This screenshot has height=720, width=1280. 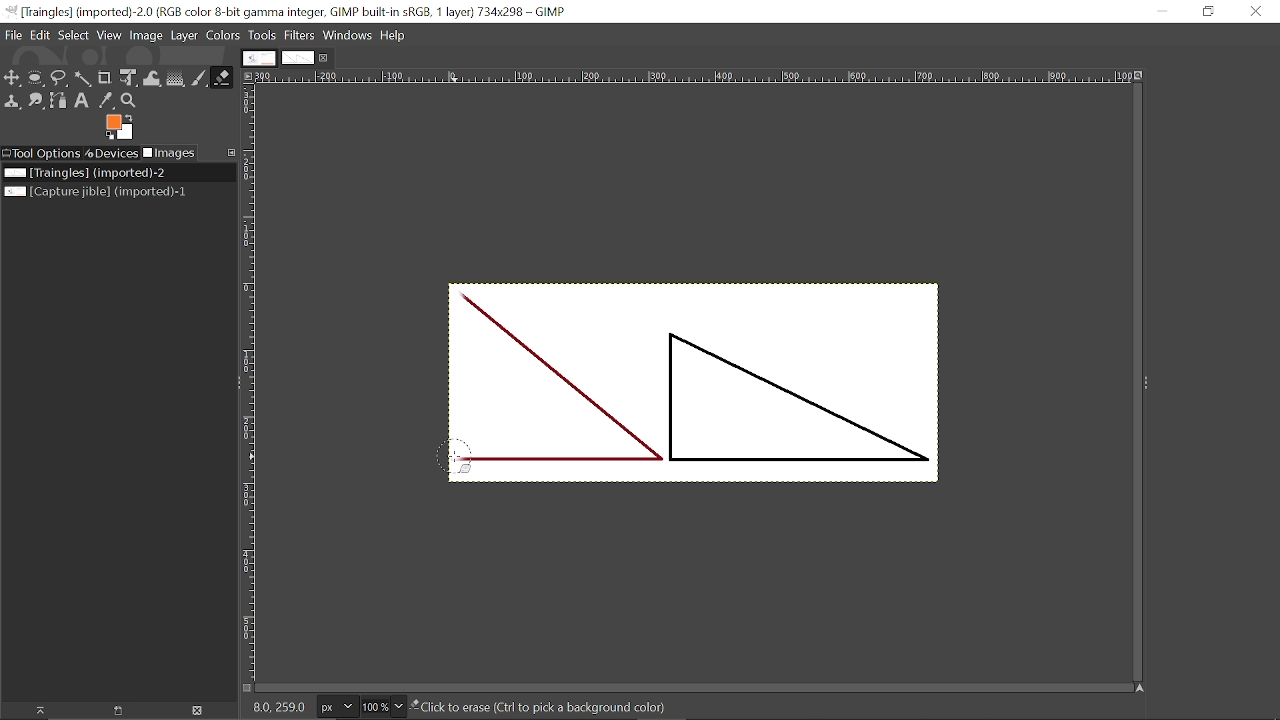 I want to click on click to erase (Ctrl to pick a background color), so click(x=559, y=709).